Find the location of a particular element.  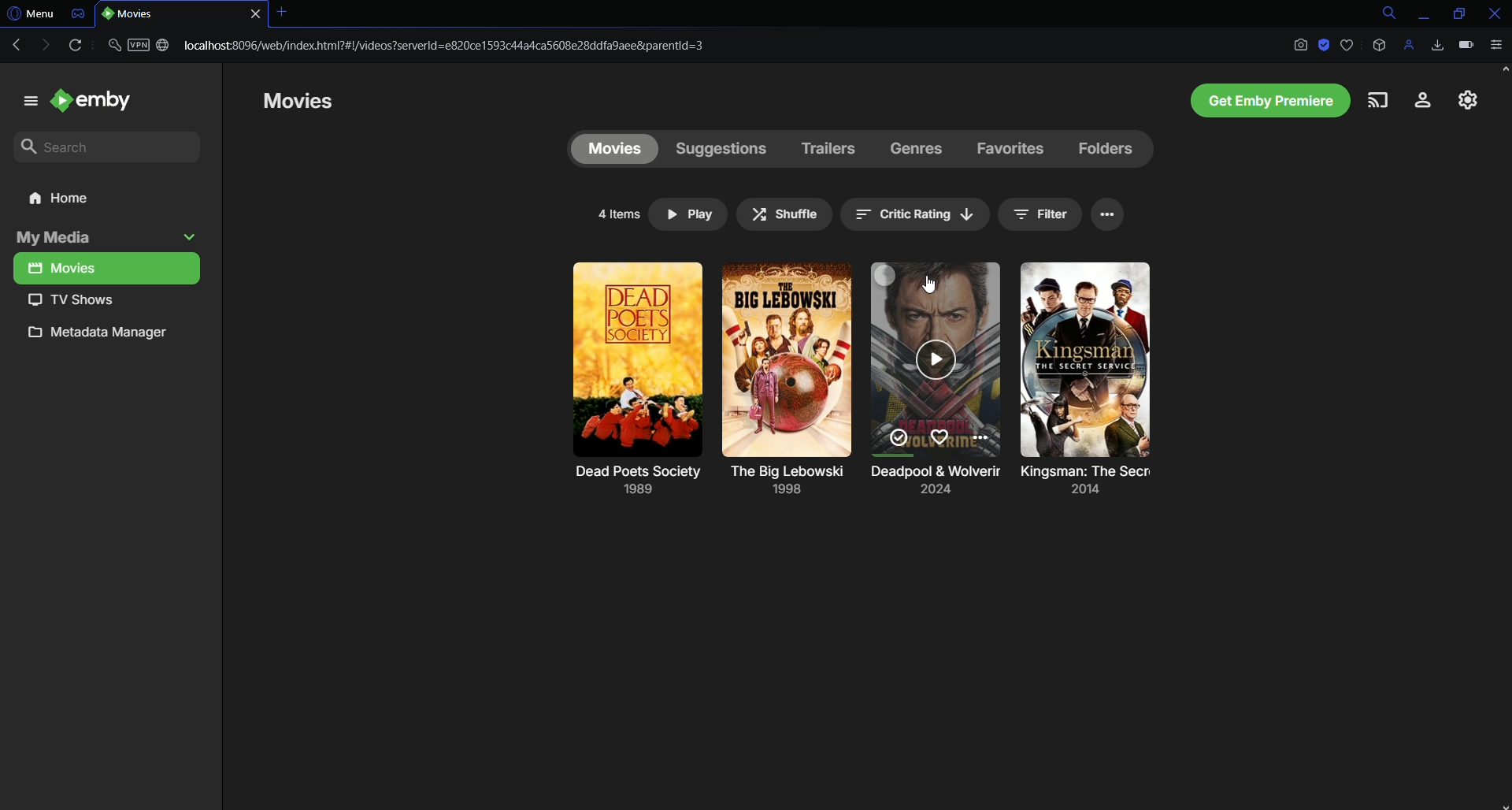

Genres is located at coordinates (917, 148).